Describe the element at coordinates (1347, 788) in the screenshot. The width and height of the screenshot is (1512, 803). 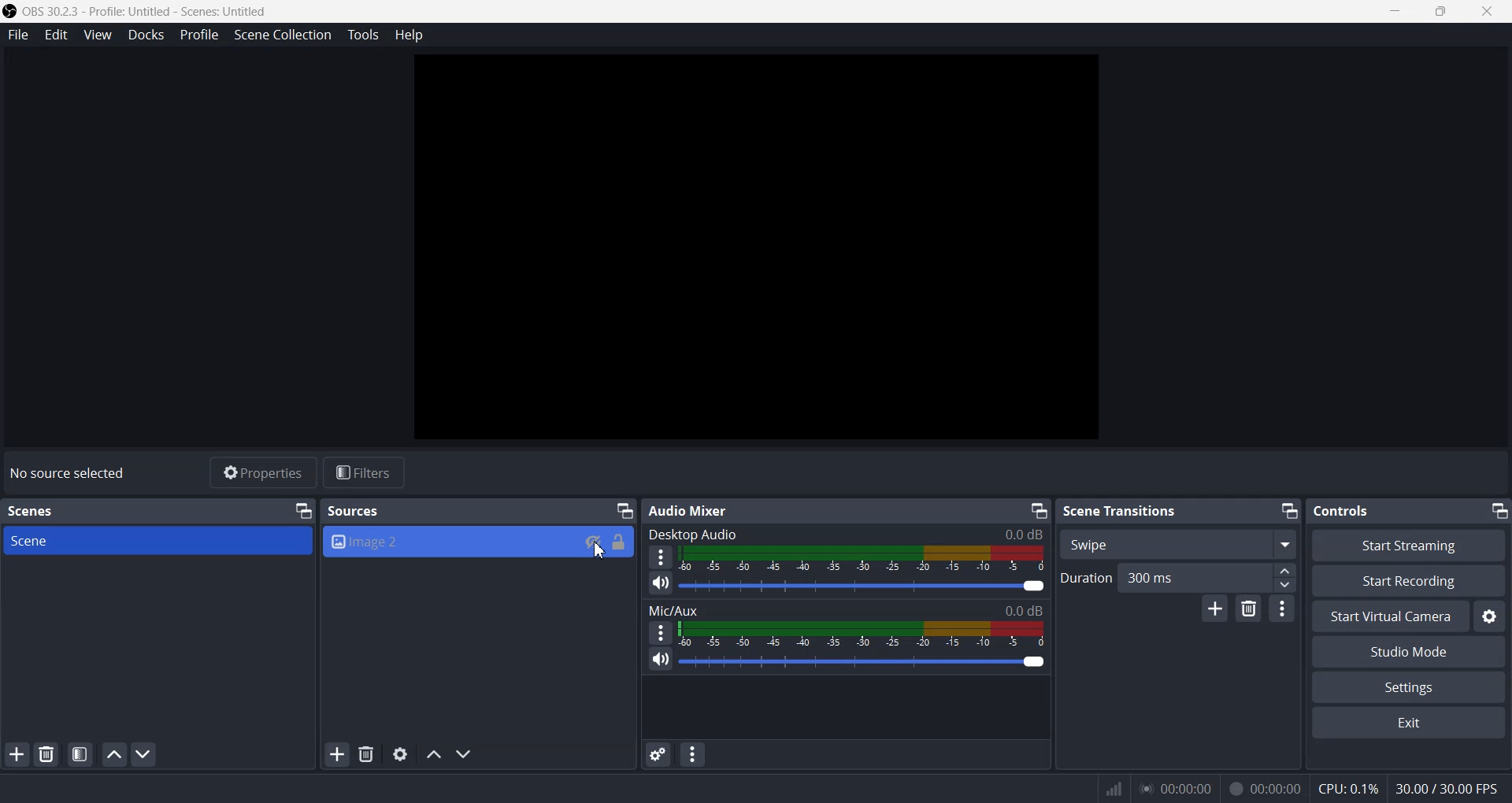
I see `CPU: 0.1%` at that location.